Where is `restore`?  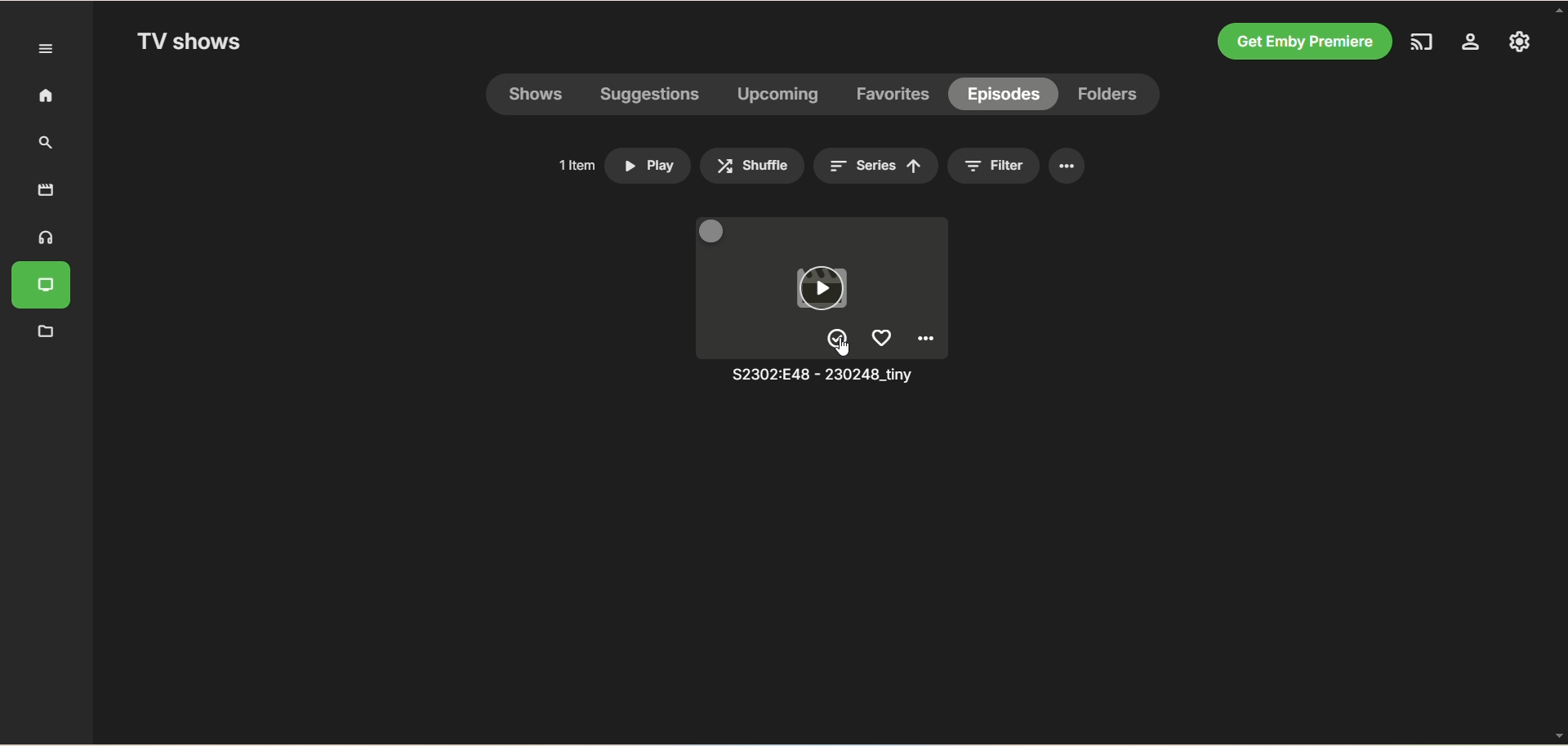
restore is located at coordinates (715, 229).